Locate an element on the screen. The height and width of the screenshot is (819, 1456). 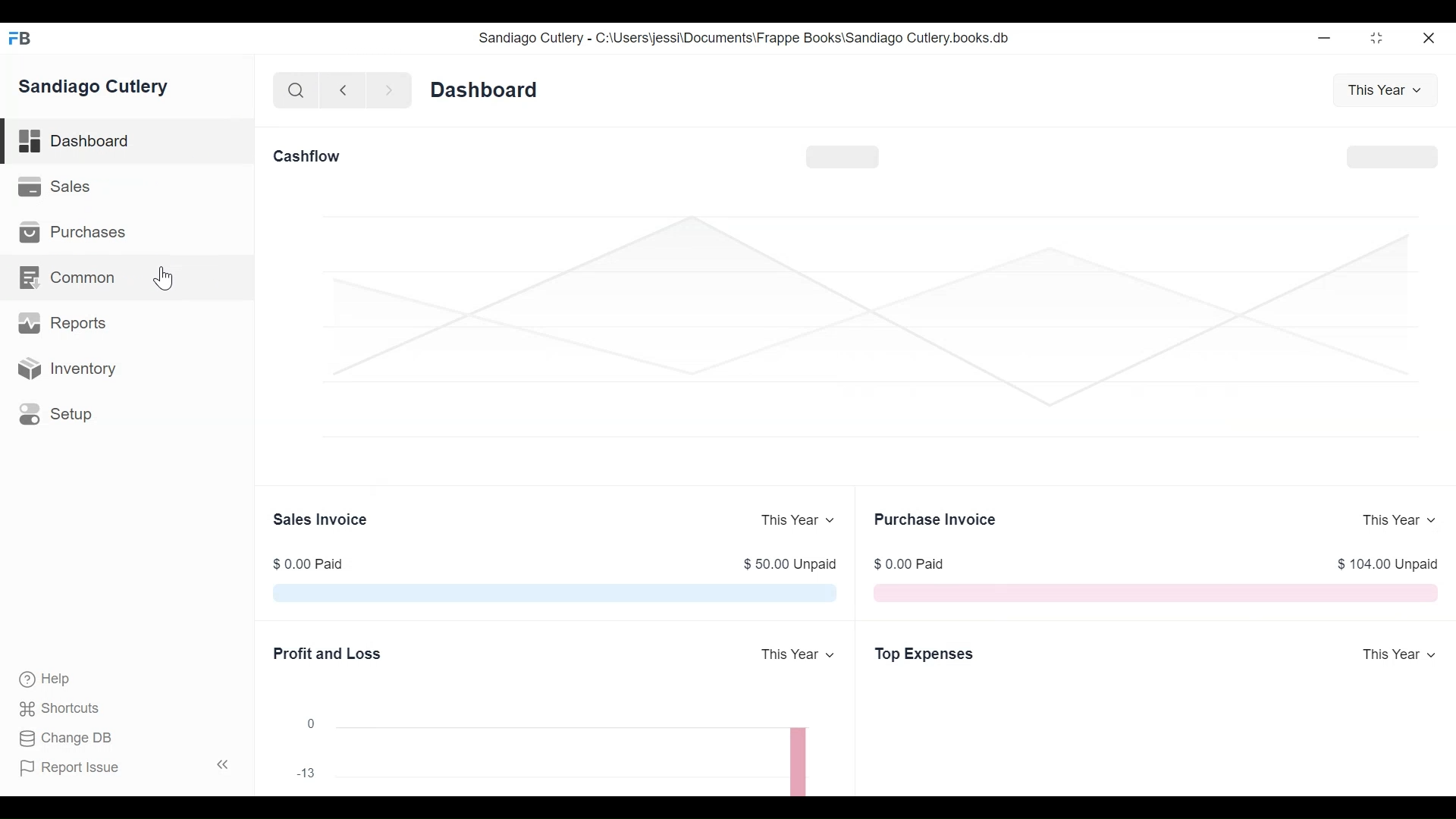
$0.00 Paid is located at coordinates (310, 564).